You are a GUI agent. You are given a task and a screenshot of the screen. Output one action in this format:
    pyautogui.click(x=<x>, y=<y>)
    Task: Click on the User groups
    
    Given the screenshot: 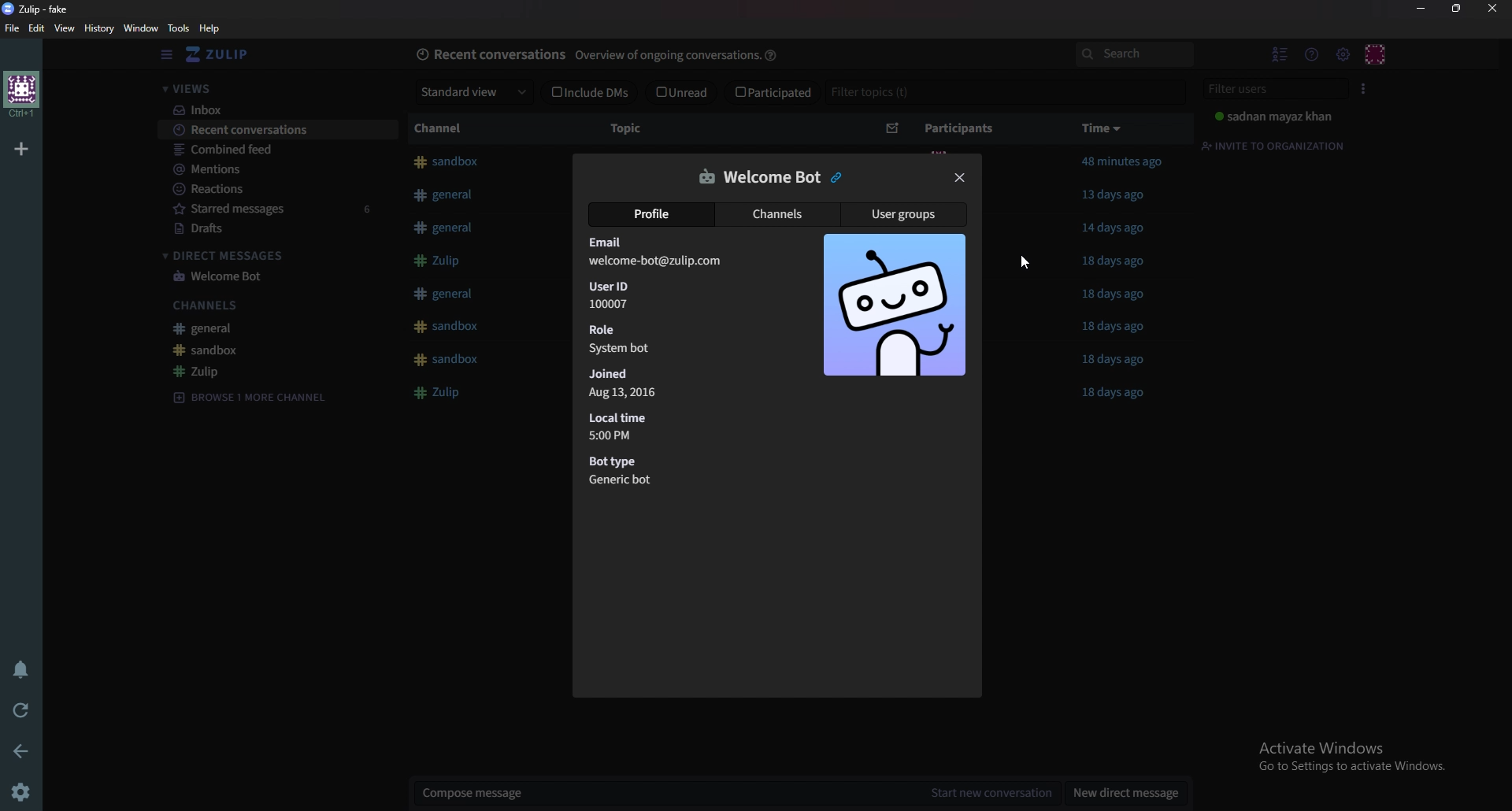 What is the action you would take?
    pyautogui.click(x=900, y=215)
    